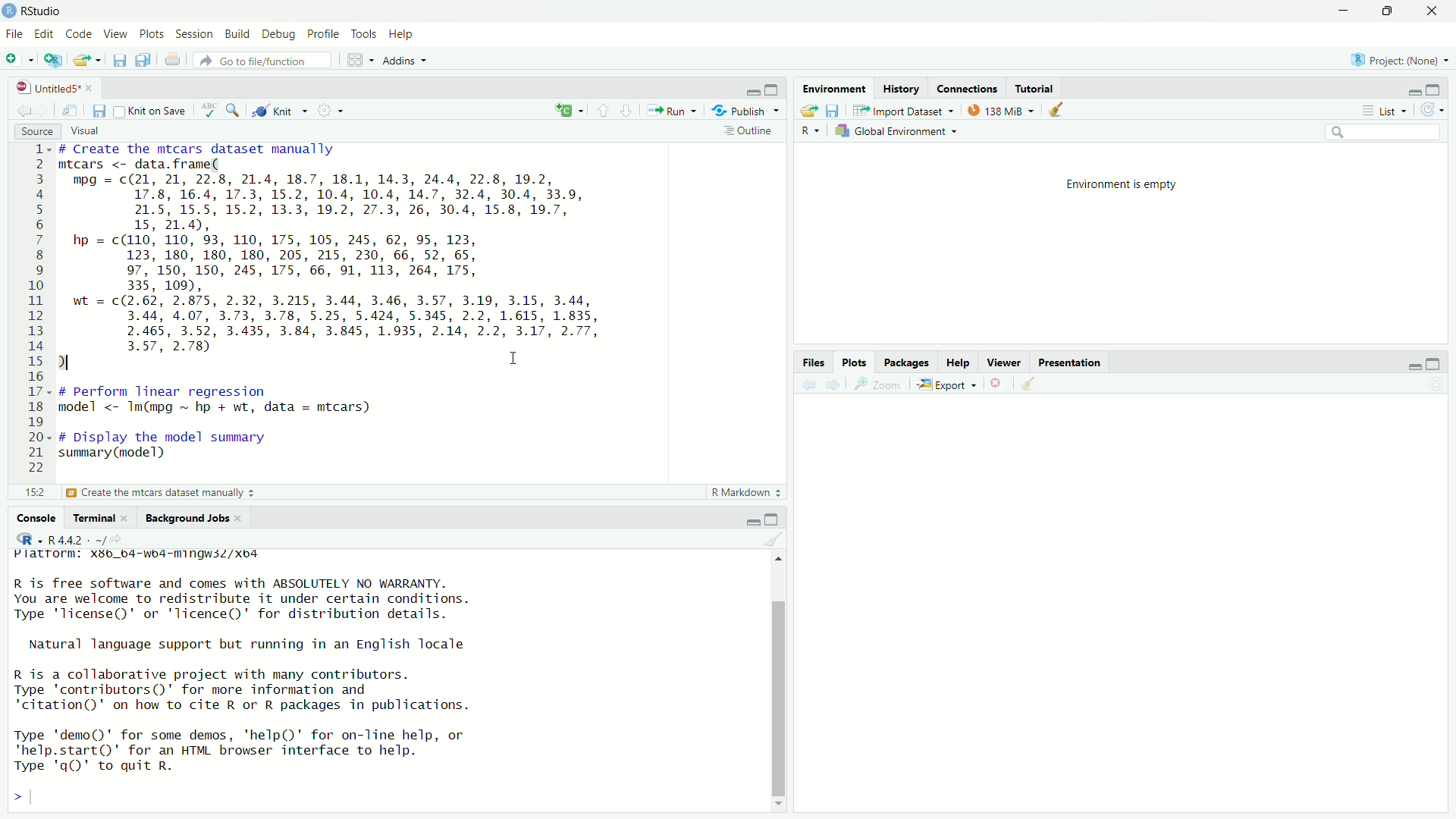 Image resolution: width=1456 pixels, height=819 pixels. What do you see at coordinates (1394, 60) in the screenshot?
I see `Project (None)` at bounding box center [1394, 60].